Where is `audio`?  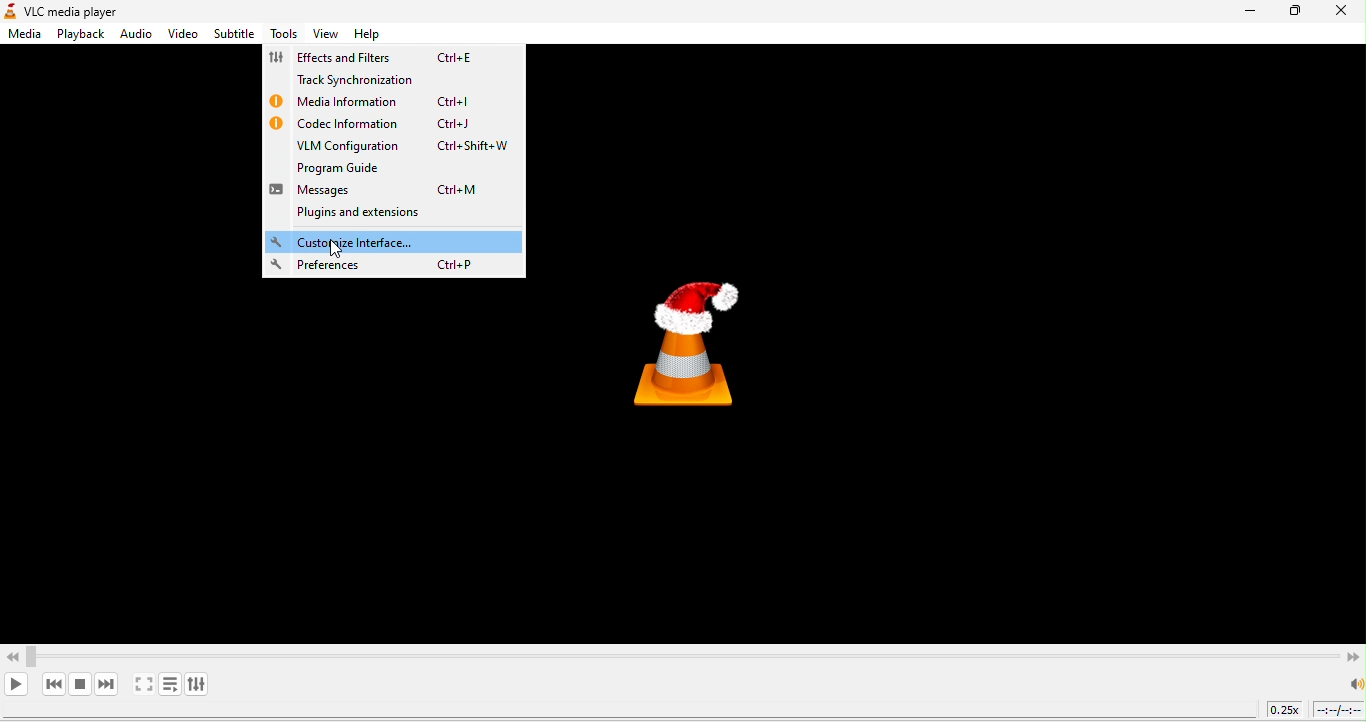
audio is located at coordinates (135, 36).